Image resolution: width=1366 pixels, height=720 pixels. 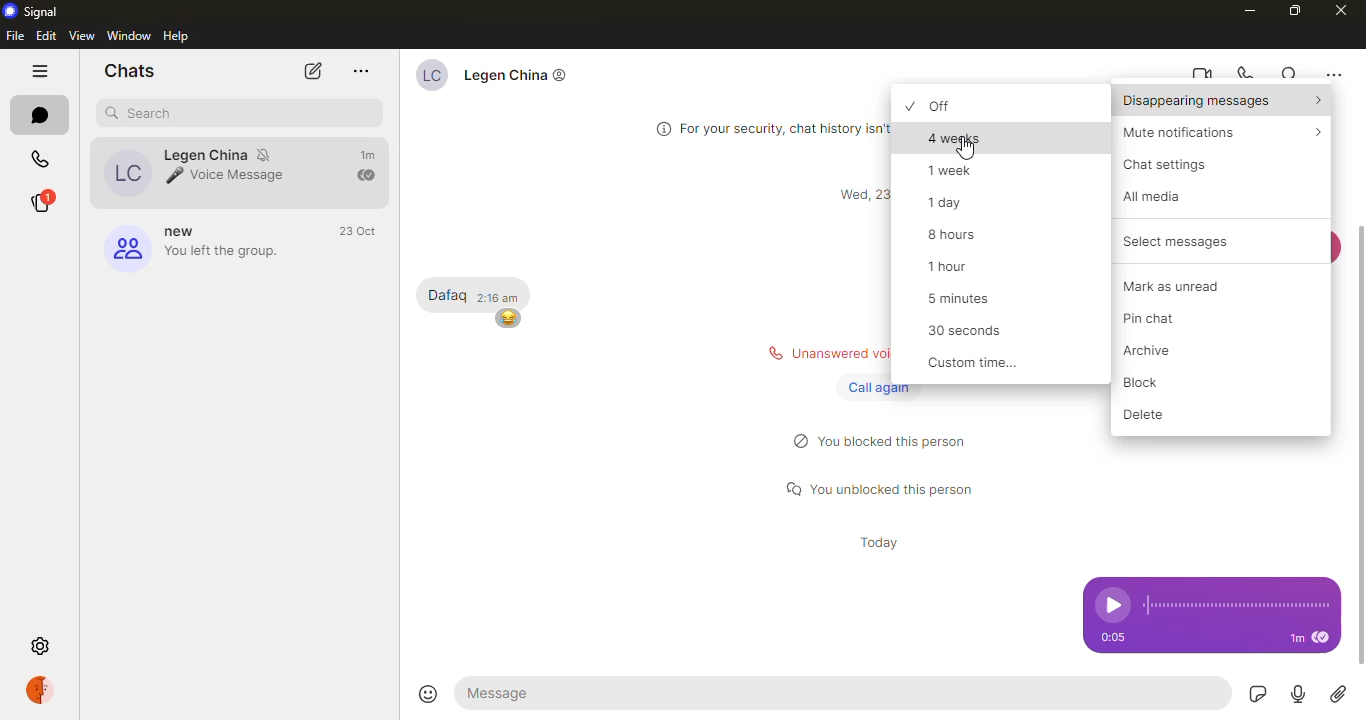 What do you see at coordinates (502, 298) in the screenshot?
I see `time` at bounding box center [502, 298].